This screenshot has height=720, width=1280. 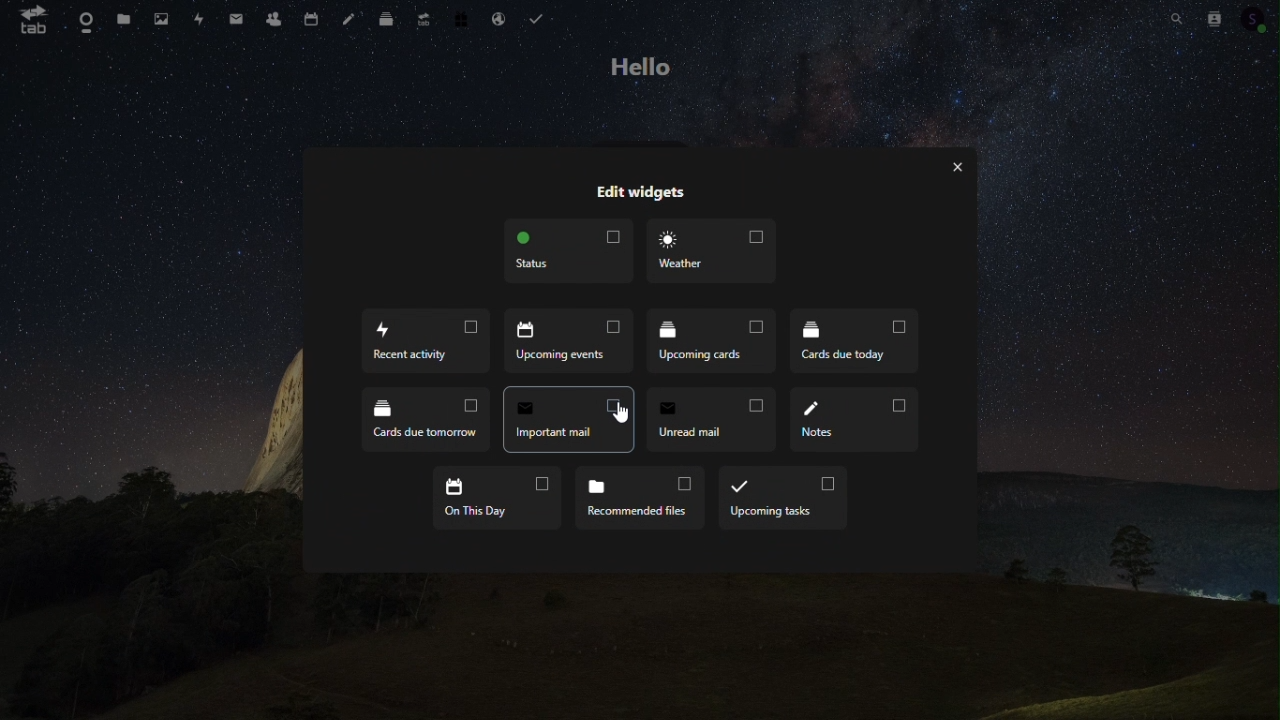 I want to click on files, so click(x=123, y=17).